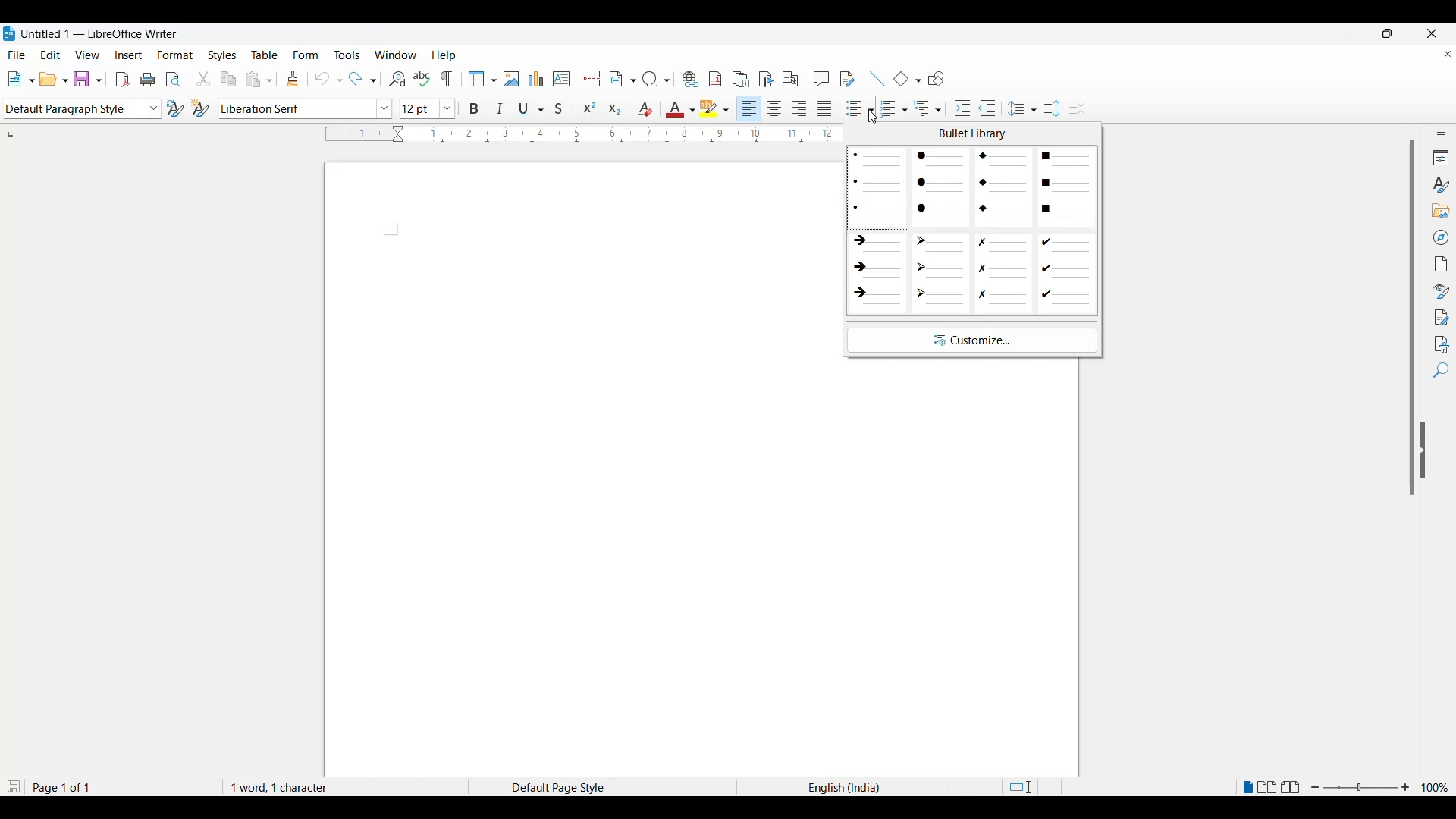 Image resolution: width=1456 pixels, height=819 pixels. What do you see at coordinates (969, 134) in the screenshot?
I see `bullet library` at bounding box center [969, 134].